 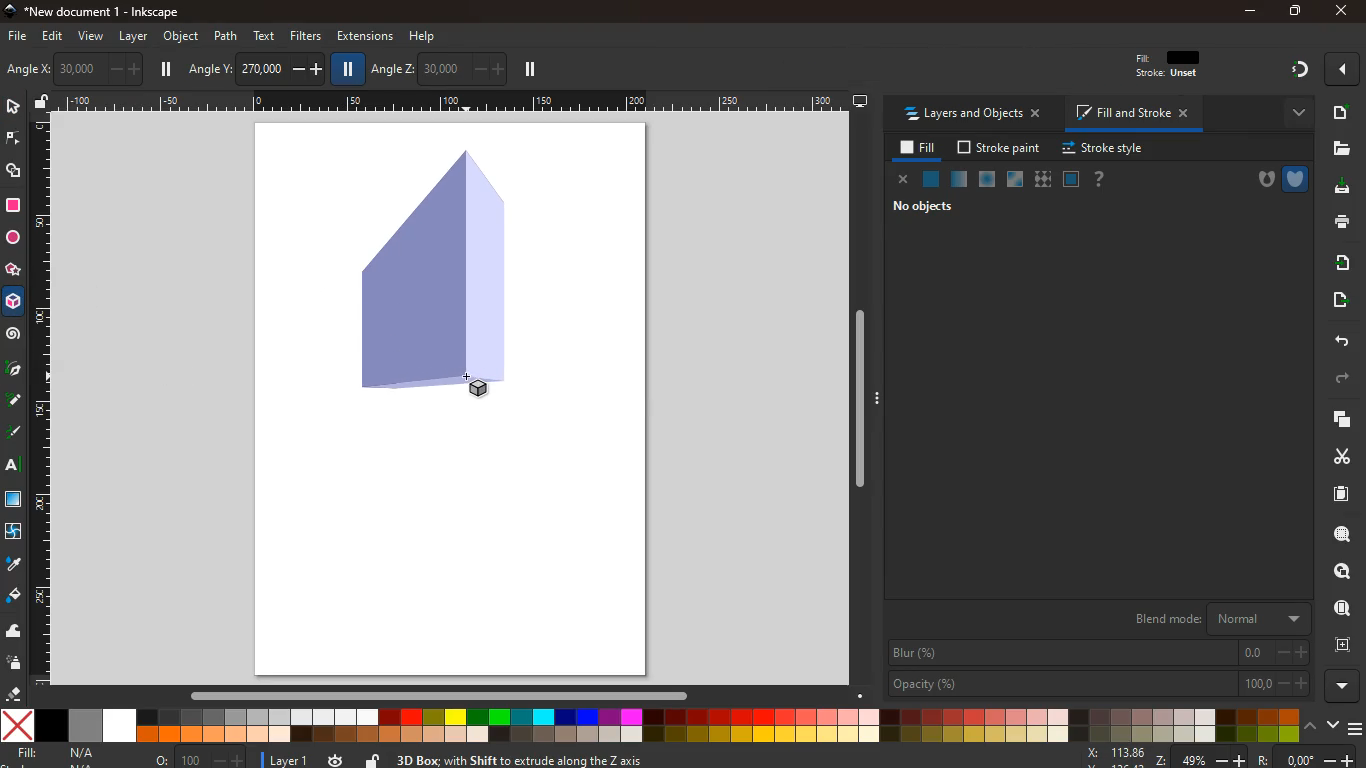 What do you see at coordinates (12, 108) in the screenshot?
I see `select` at bounding box center [12, 108].